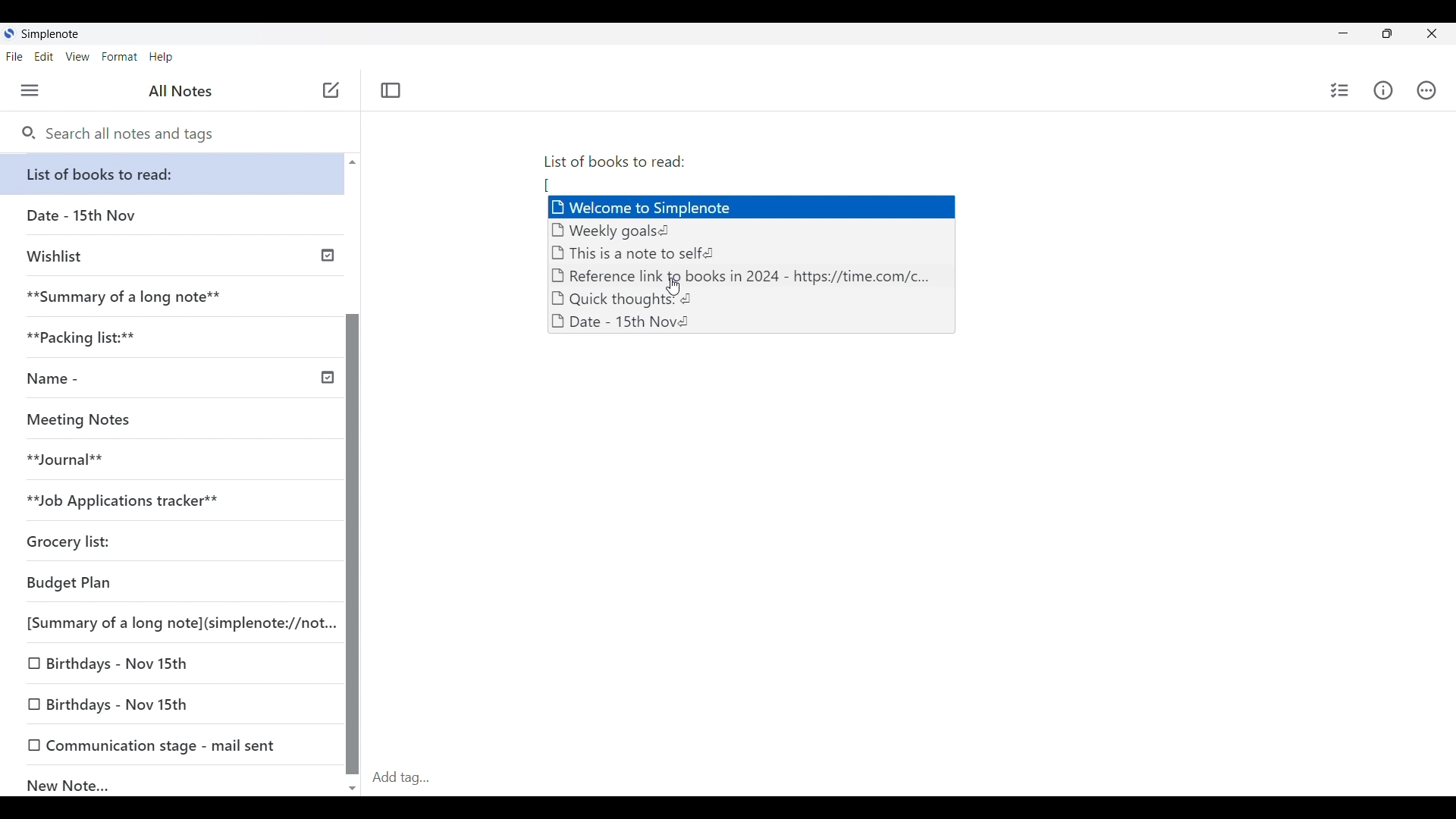 The width and height of the screenshot is (1456, 819). Describe the element at coordinates (626, 323) in the screenshot. I see `Date - 15th Nov` at that location.